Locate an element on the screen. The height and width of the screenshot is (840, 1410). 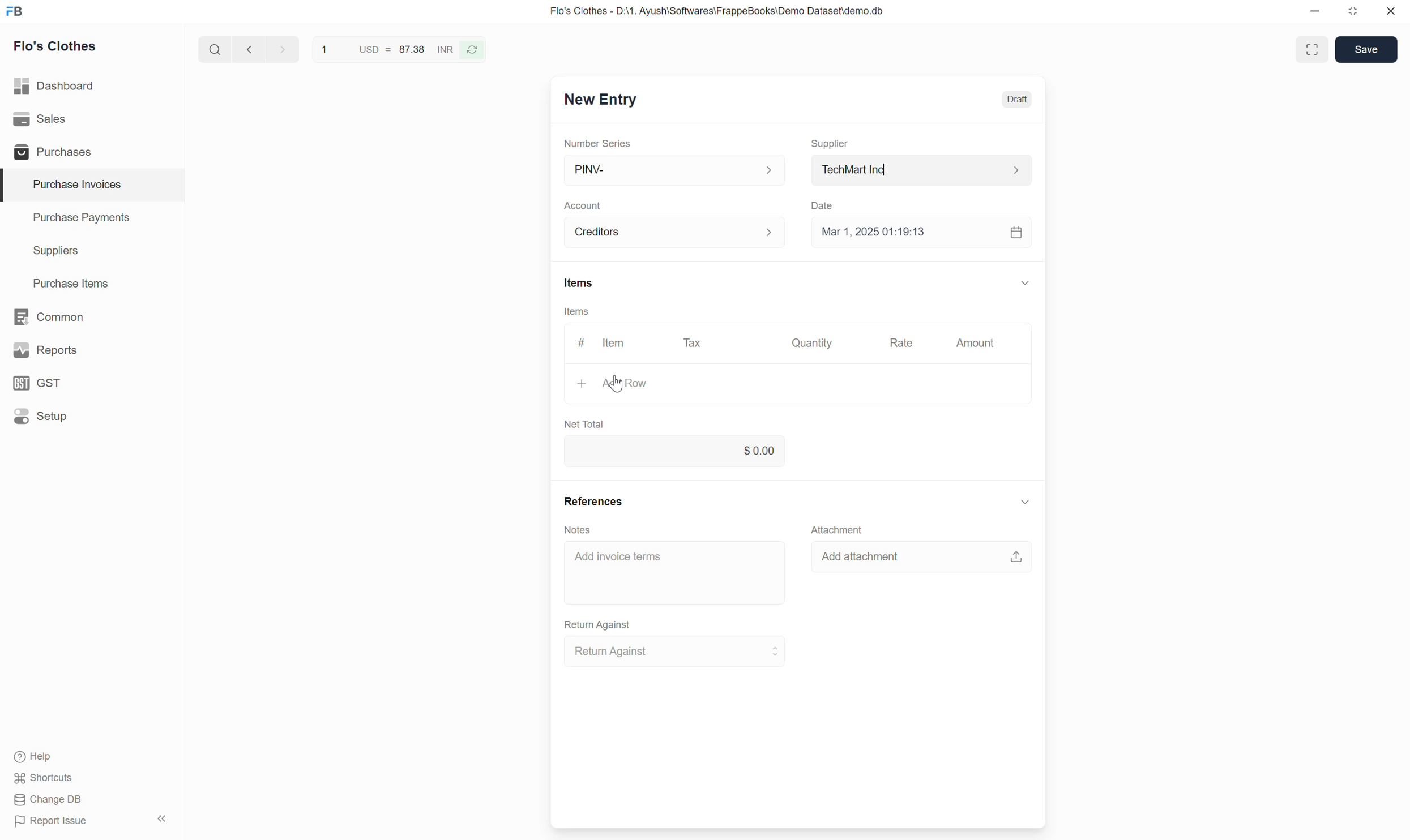
Setup is located at coordinates (41, 417).